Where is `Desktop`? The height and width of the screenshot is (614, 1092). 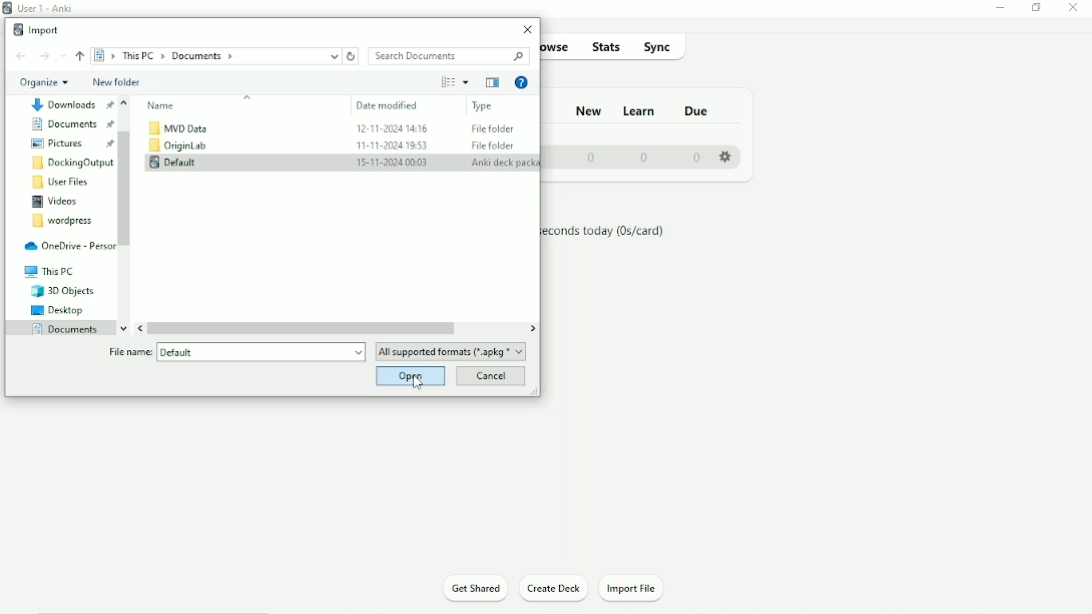 Desktop is located at coordinates (58, 310).